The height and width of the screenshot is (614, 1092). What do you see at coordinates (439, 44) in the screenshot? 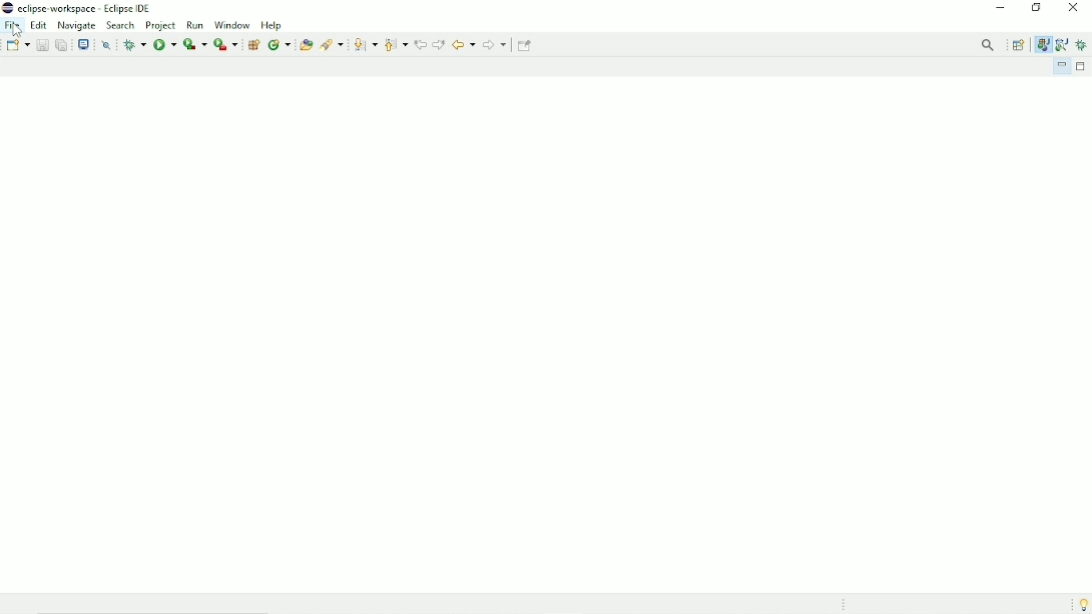
I see `Next edit location` at bounding box center [439, 44].